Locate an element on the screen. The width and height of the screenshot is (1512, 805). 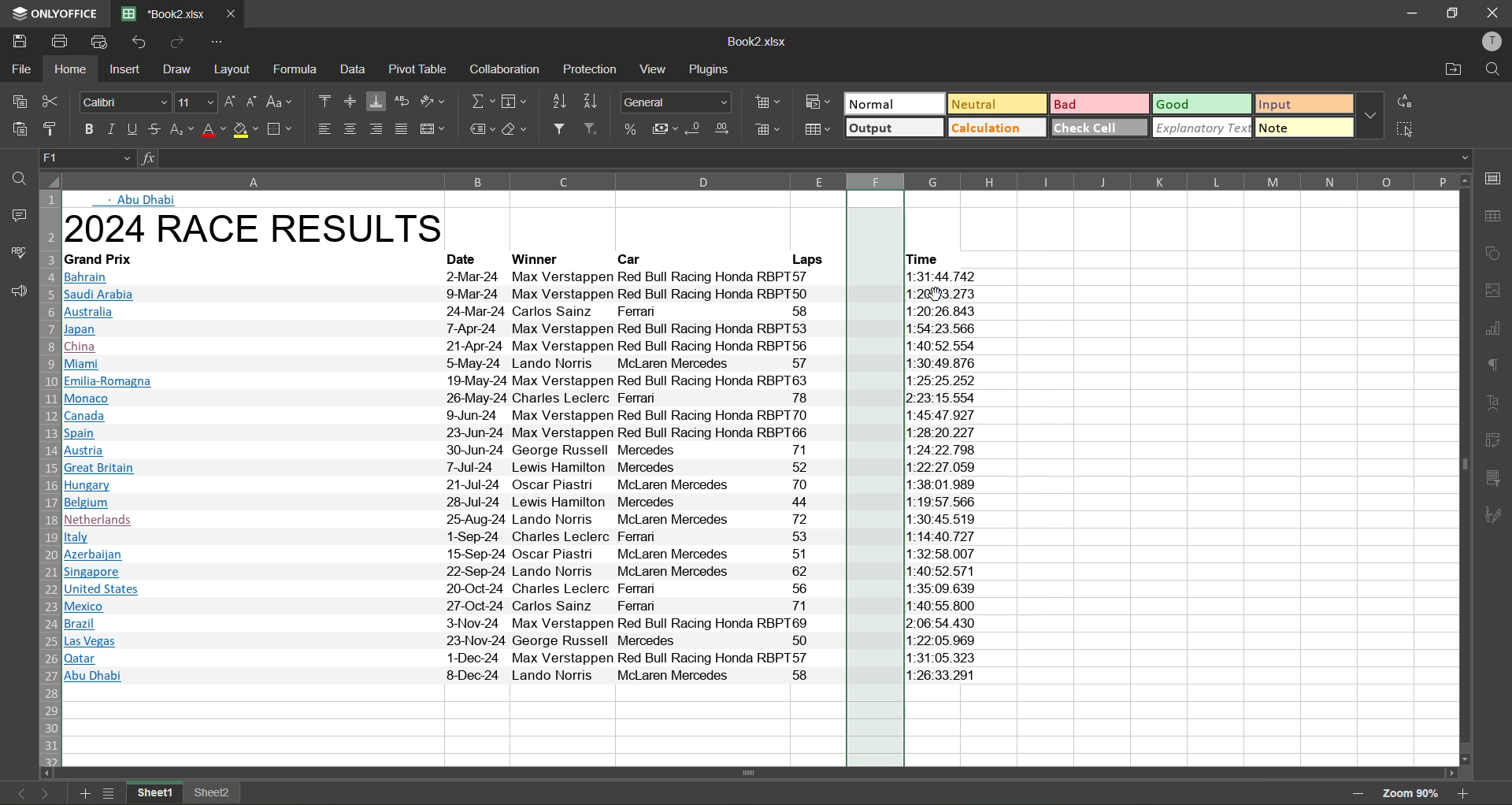
align left is located at coordinates (324, 129).